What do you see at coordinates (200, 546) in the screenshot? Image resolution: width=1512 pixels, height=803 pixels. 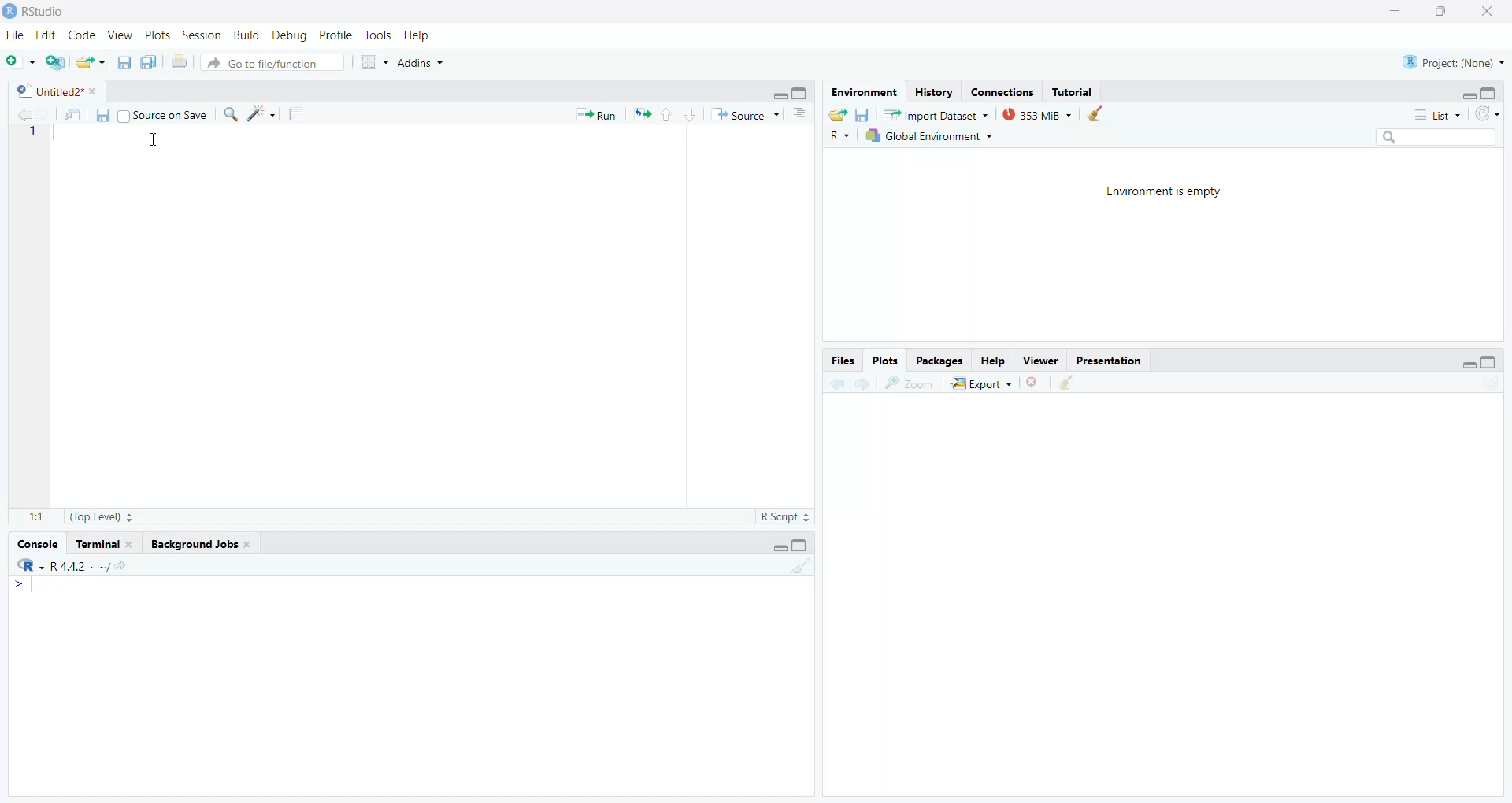 I see `‘Background Jobs` at bounding box center [200, 546].